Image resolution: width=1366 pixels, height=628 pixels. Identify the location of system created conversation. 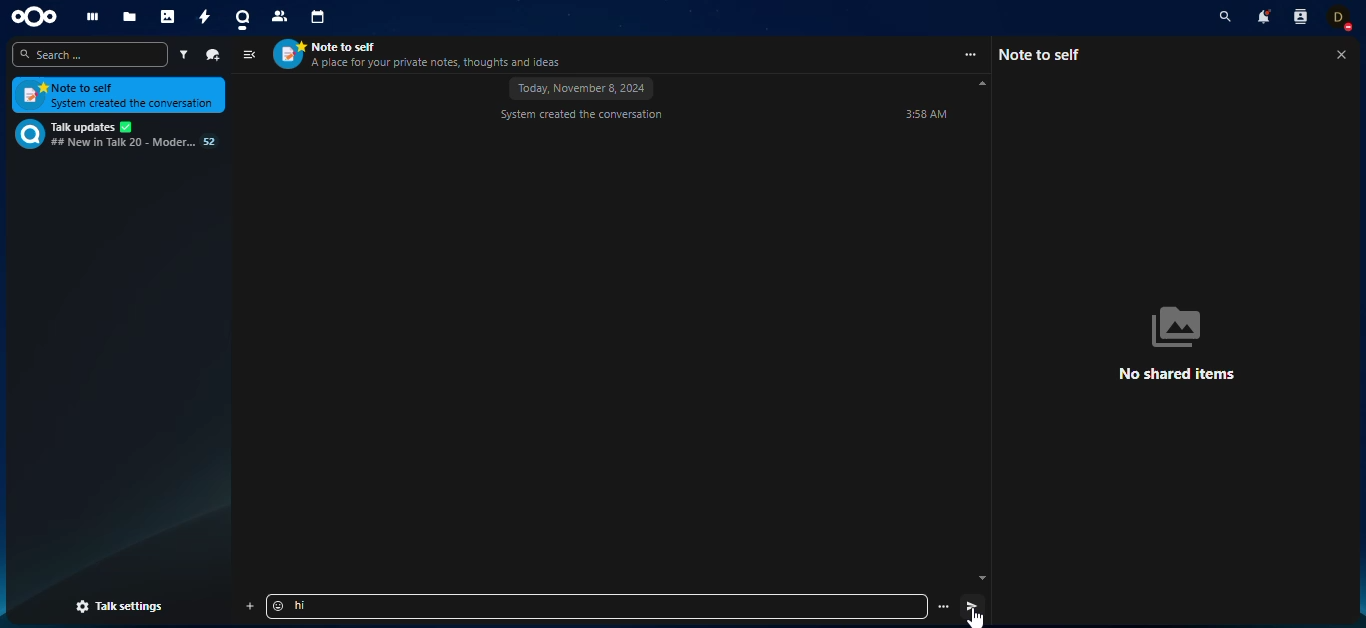
(582, 116).